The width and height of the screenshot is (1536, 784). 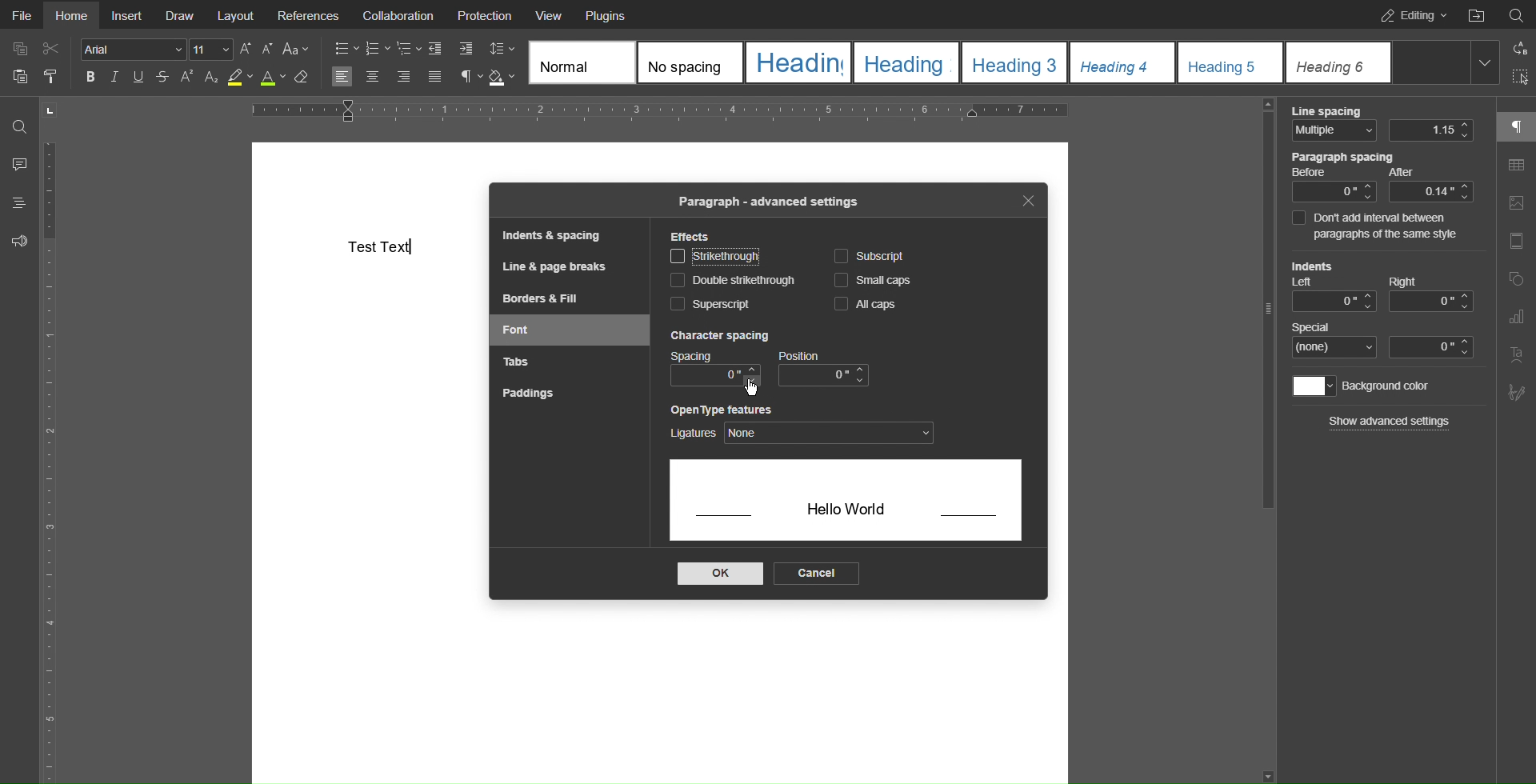 What do you see at coordinates (1027, 200) in the screenshot?
I see `Close` at bounding box center [1027, 200].